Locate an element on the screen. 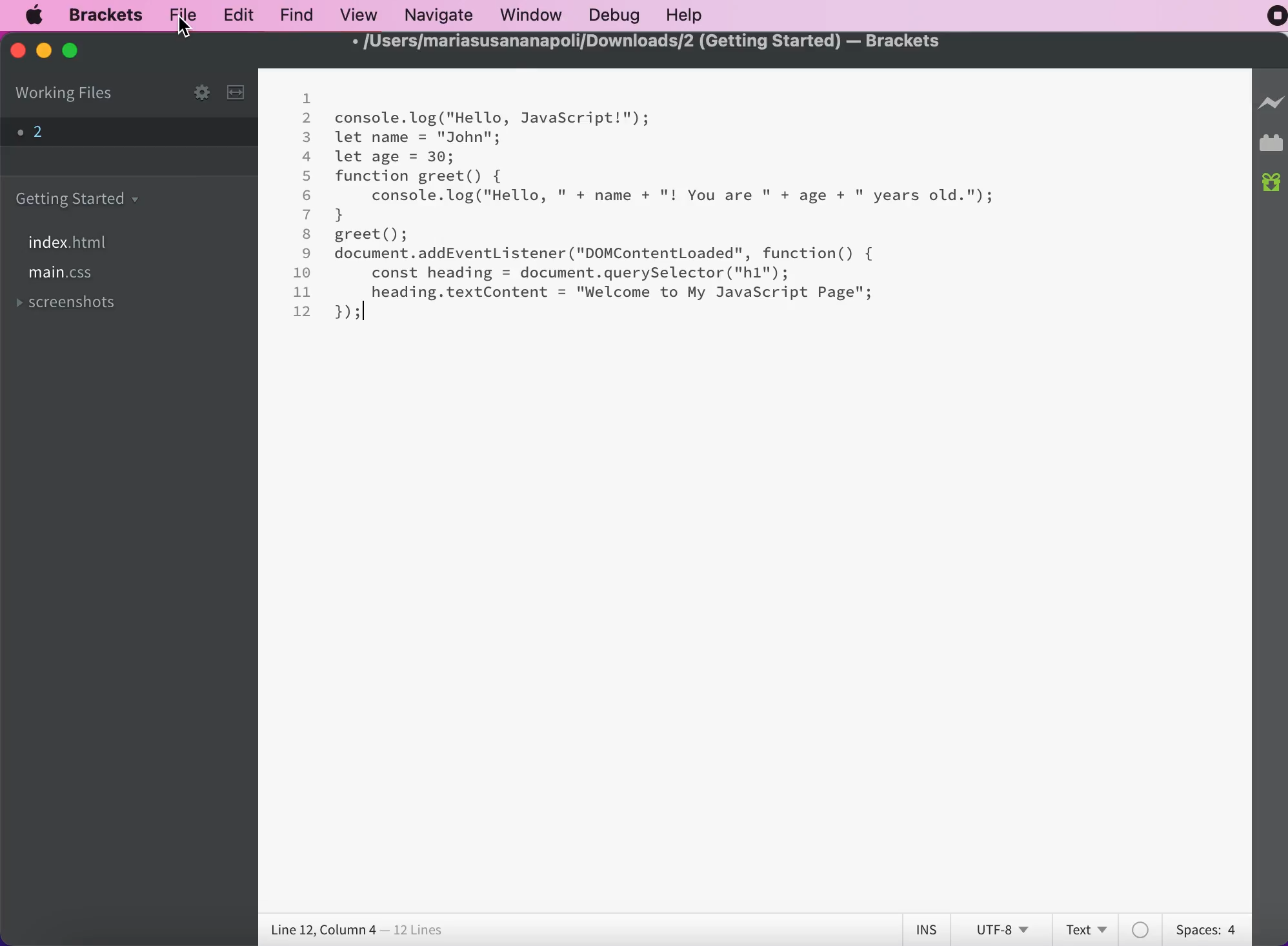 The width and height of the screenshot is (1288, 946). 1 is located at coordinates (306, 98).